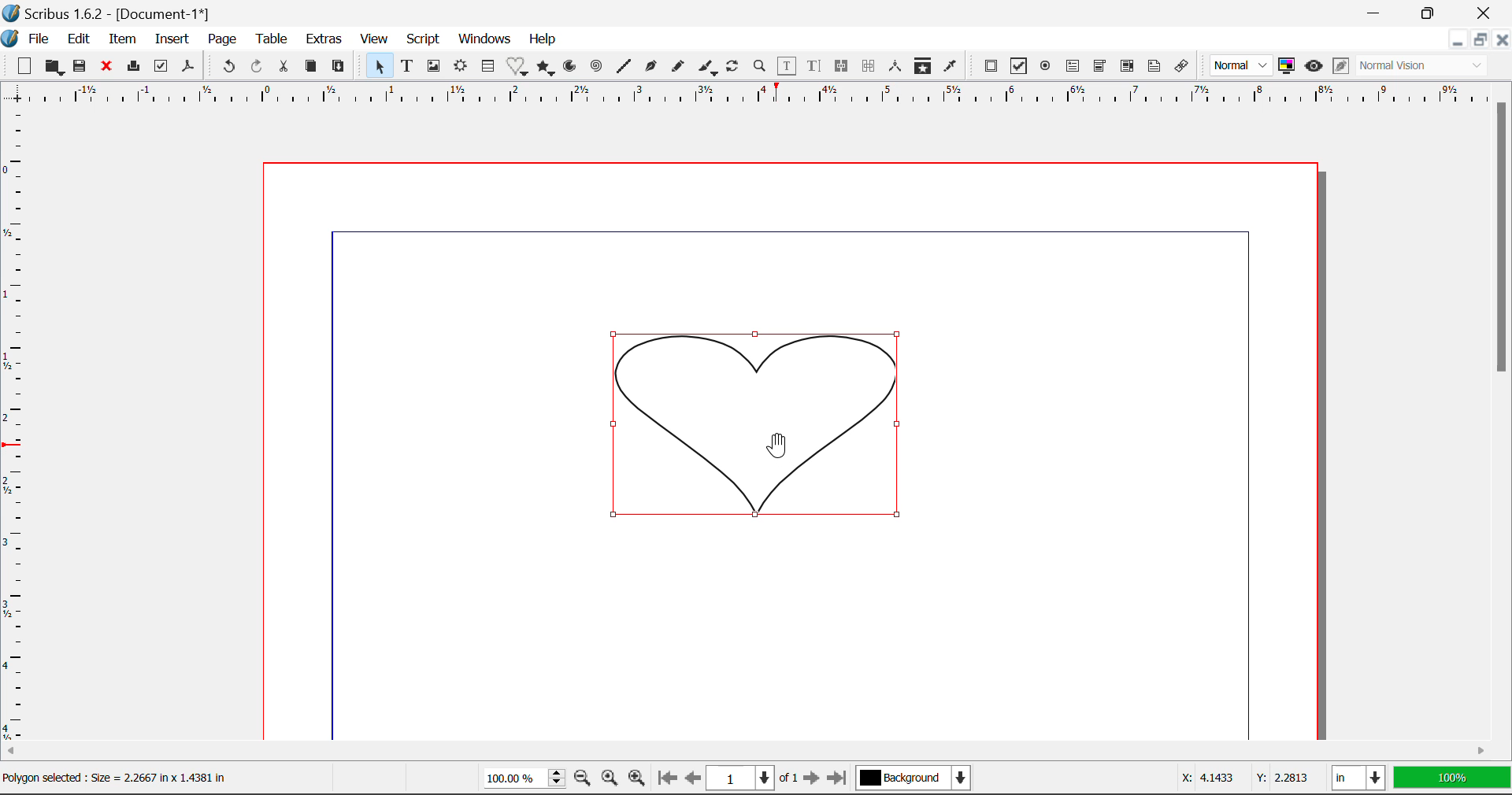  What do you see at coordinates (708, 69) in the screenshot?
I see `Calligraphic Curve` at bounding box center [708, 69].